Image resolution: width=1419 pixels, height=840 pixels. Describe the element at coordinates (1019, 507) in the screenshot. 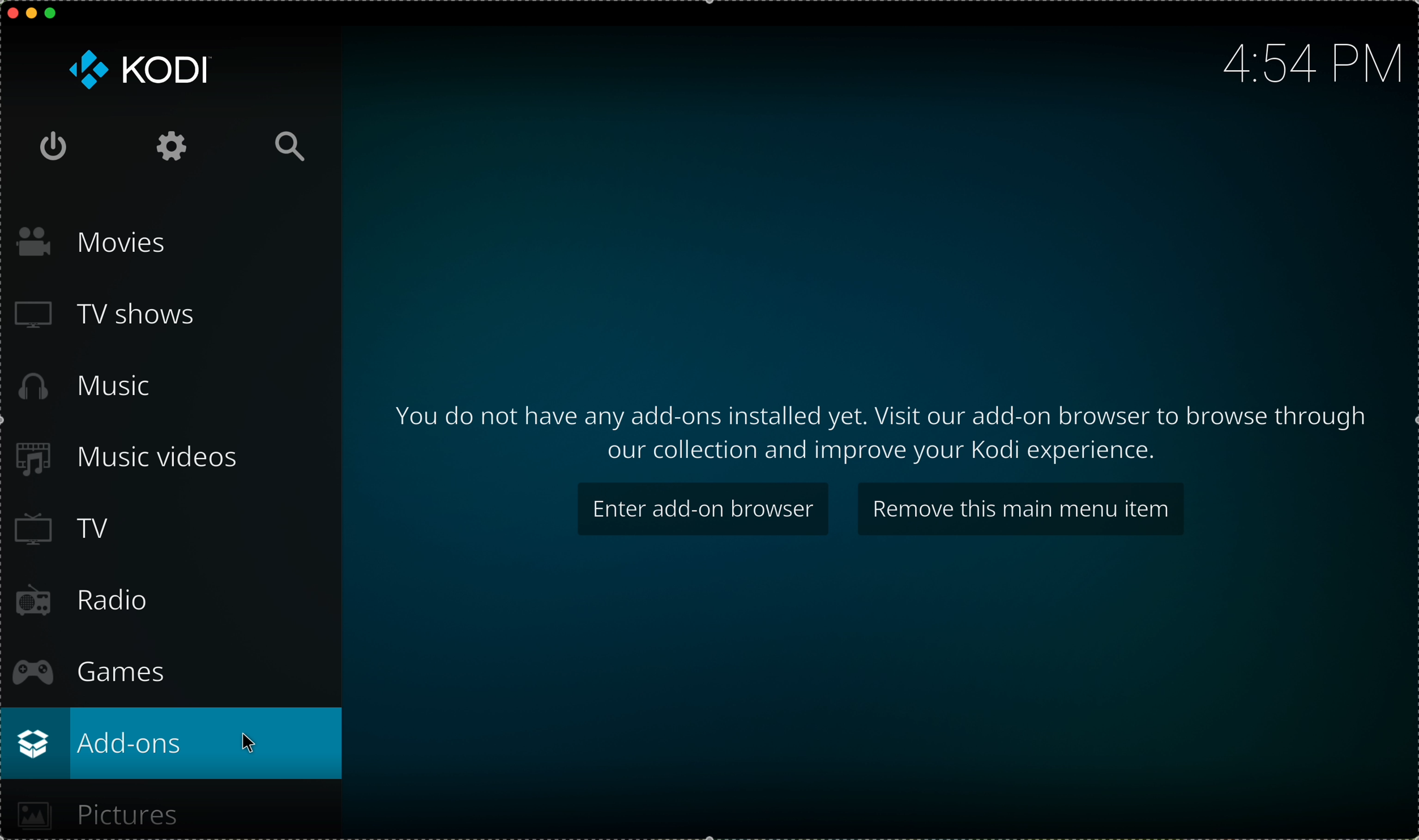

I see `remove this main menu item` at that location.